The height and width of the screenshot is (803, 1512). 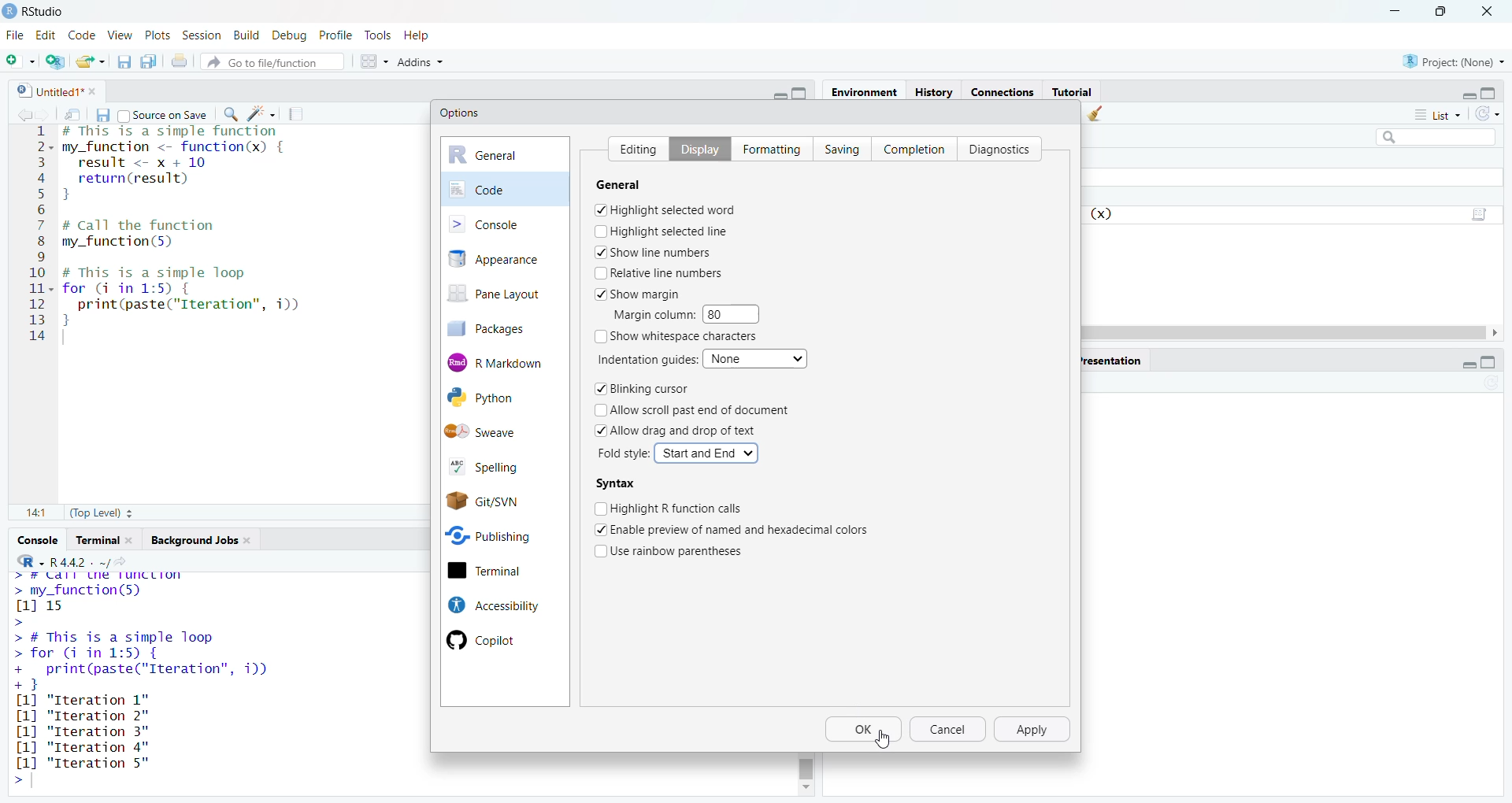 I want to click on language select, so click(x=23, y=561).